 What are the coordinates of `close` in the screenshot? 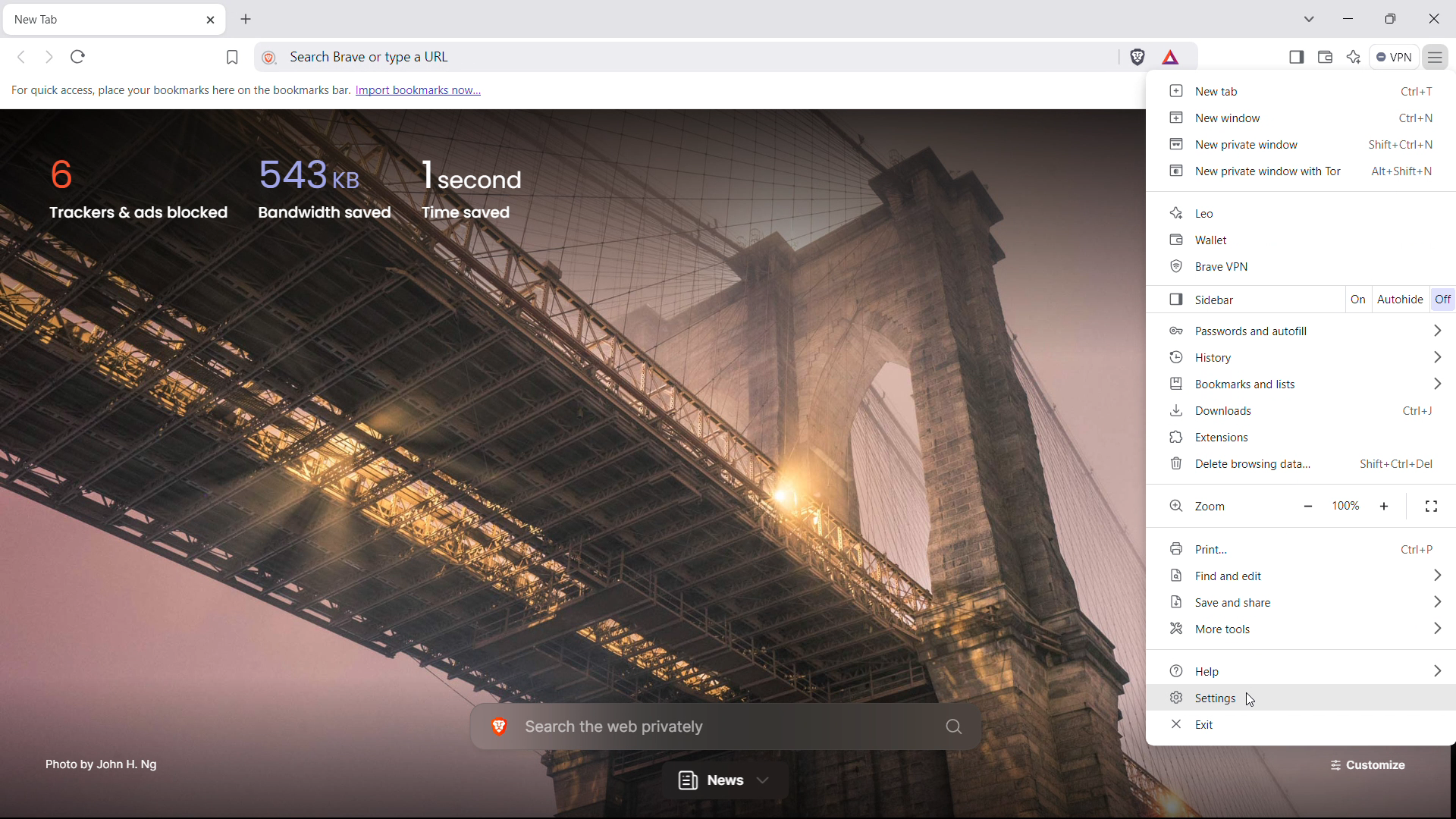 It's located at (1432, 18).